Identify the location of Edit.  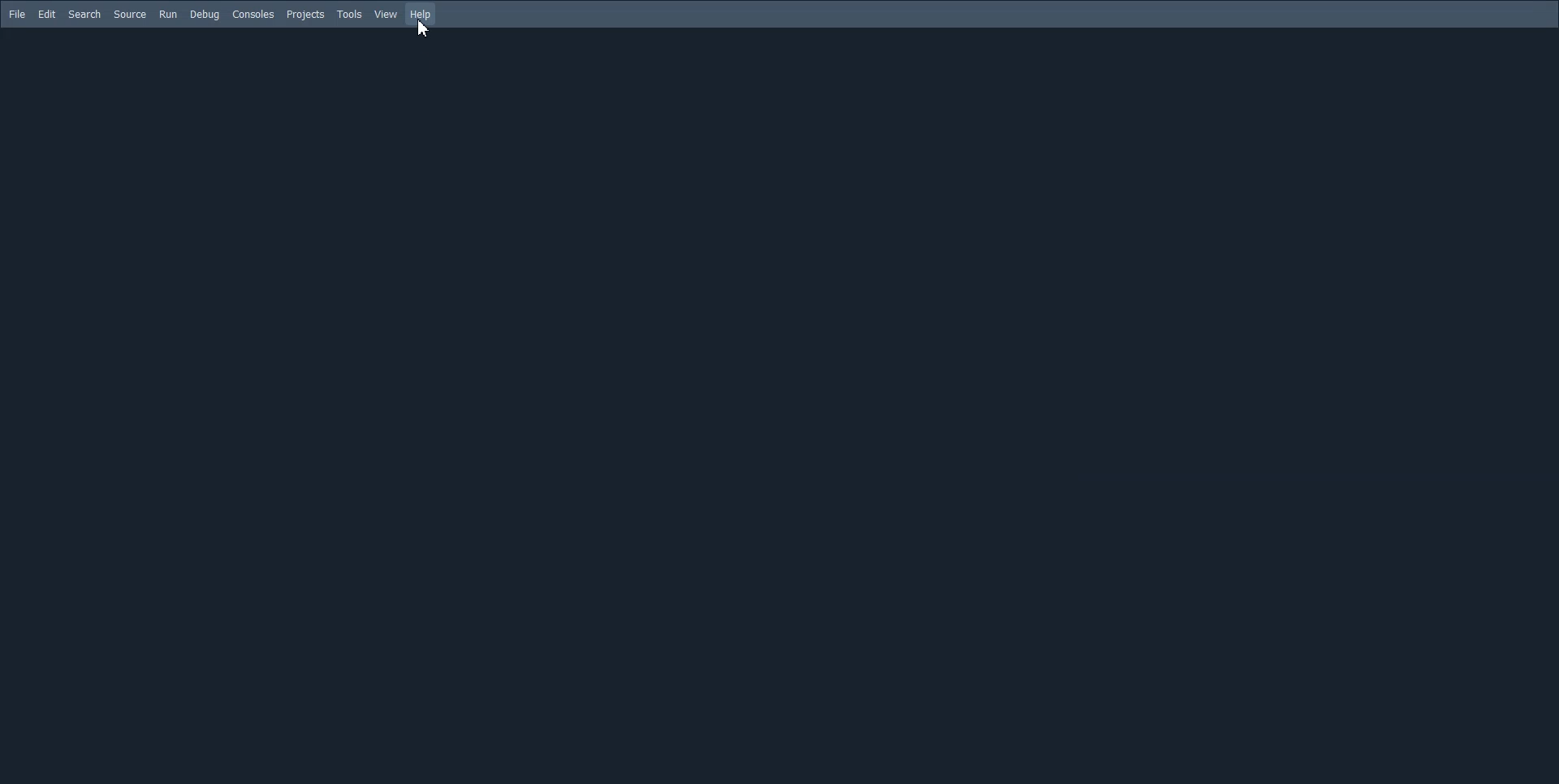
(47, 13).